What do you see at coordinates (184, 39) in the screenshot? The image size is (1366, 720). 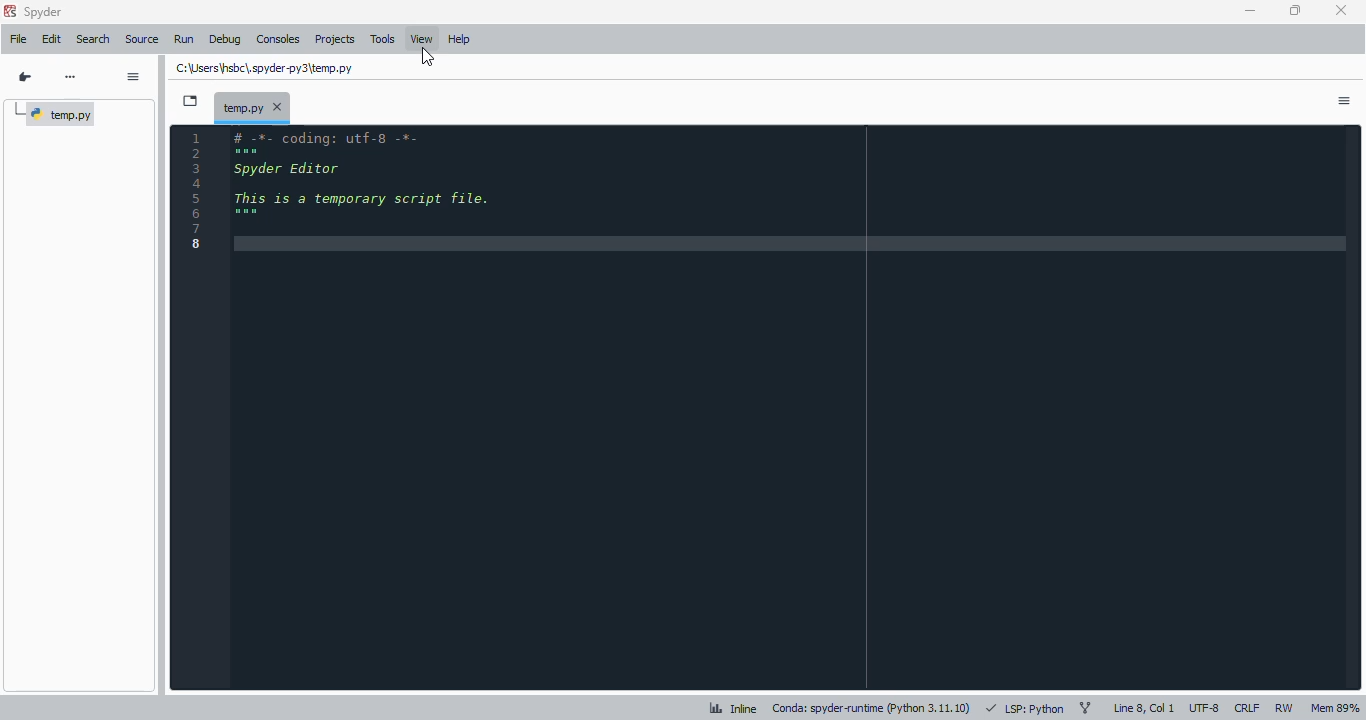 I see `run` at bounding box center [184, 39].